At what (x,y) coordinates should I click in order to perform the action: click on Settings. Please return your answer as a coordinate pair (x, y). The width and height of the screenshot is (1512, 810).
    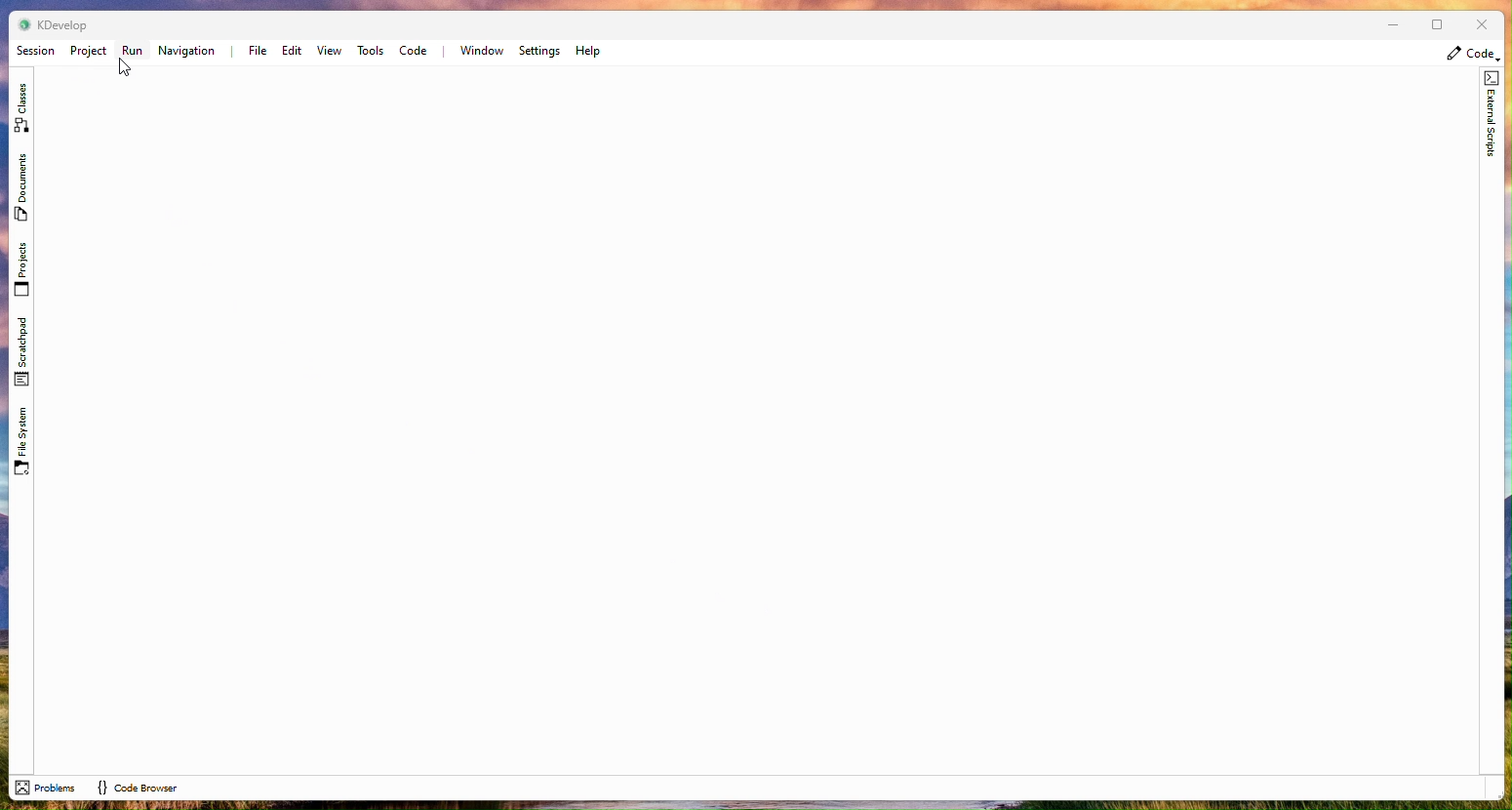
    Looking at the image, I should click on (539, 51).